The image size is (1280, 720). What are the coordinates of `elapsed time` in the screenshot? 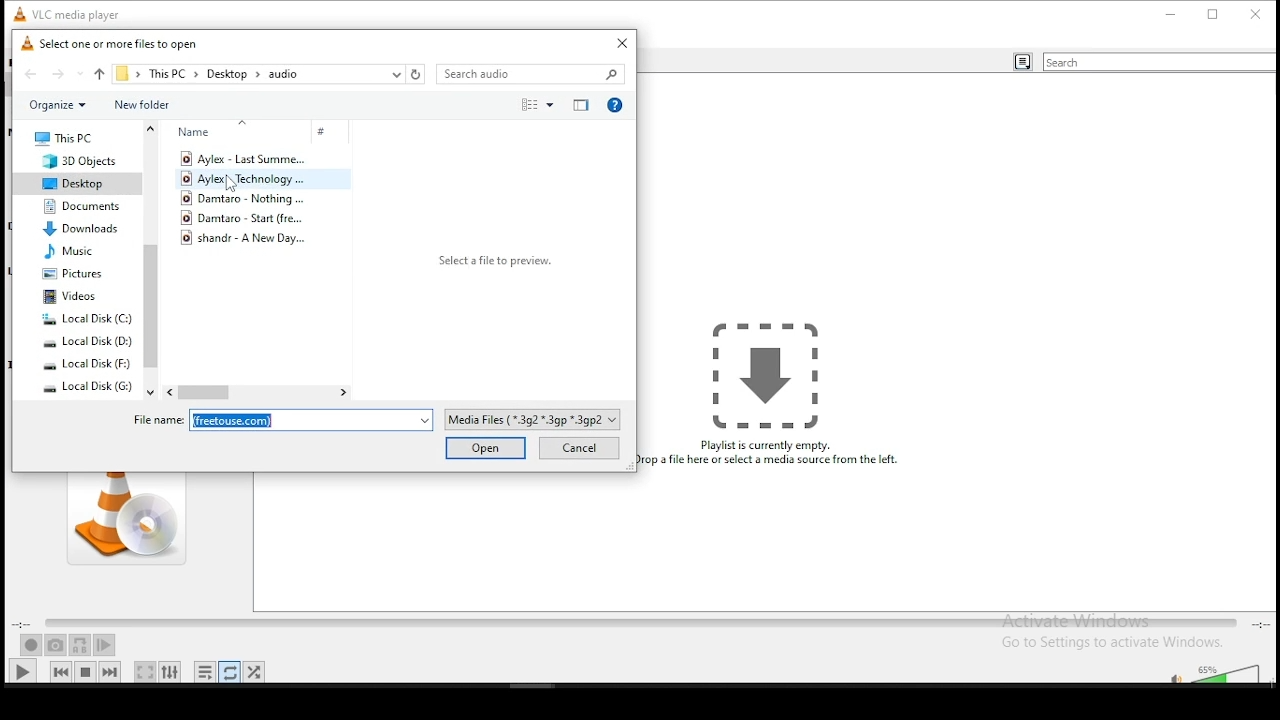 It's located at (23, 623).